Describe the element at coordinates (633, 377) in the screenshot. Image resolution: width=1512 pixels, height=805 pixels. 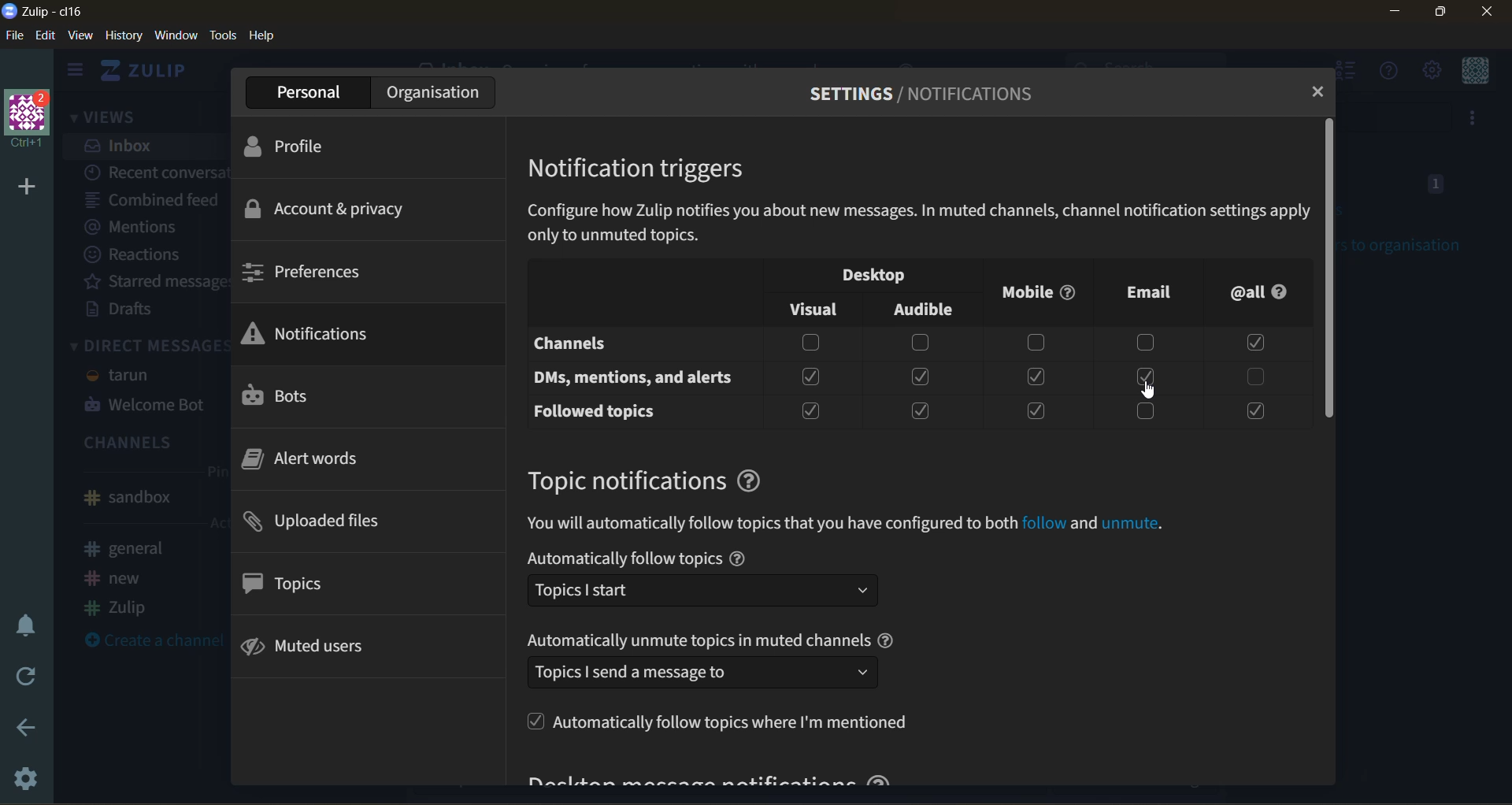
I see `dms, mentions, alerts` at that location.